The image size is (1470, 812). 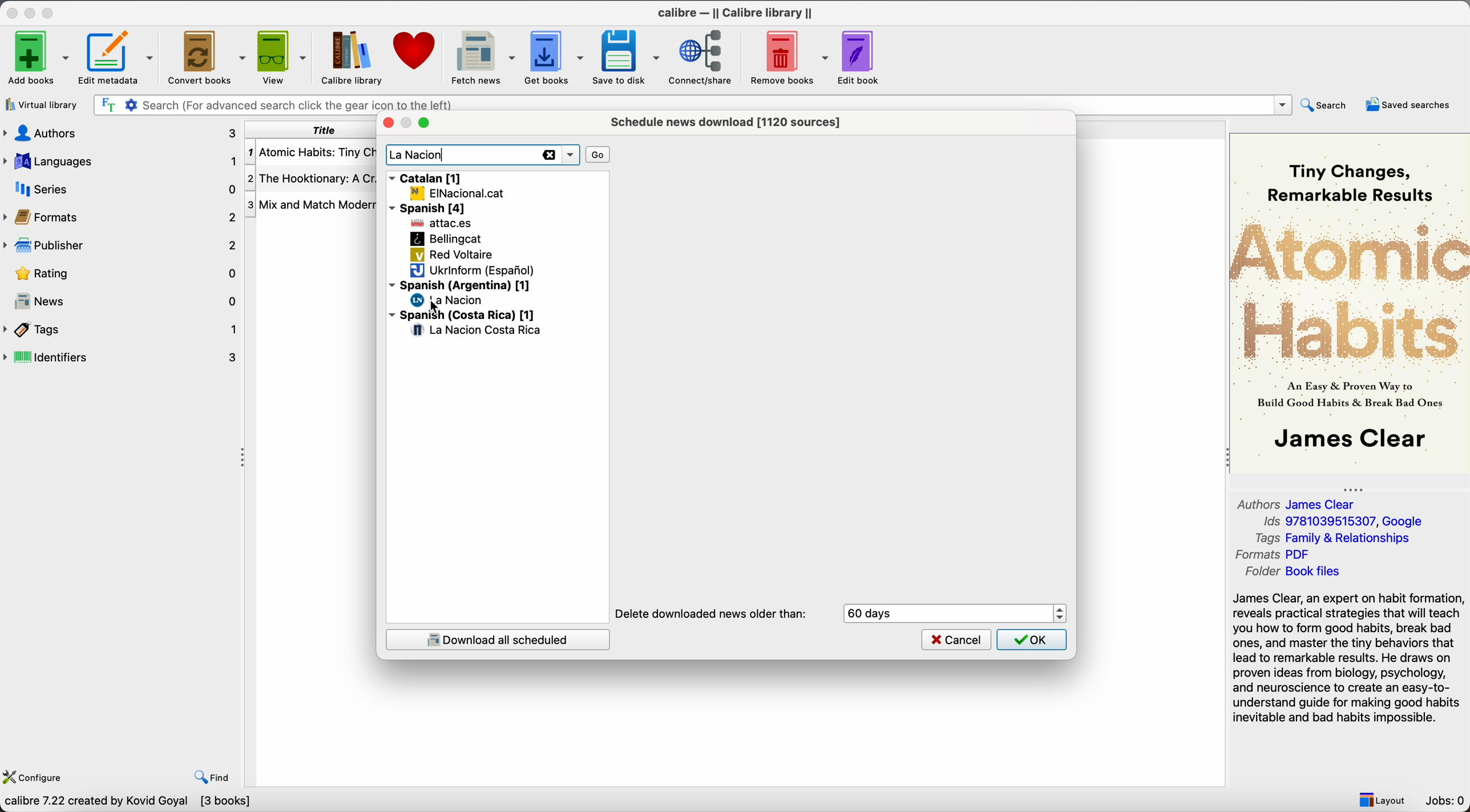 I want to click on convert books, so click(x=205, y=56).